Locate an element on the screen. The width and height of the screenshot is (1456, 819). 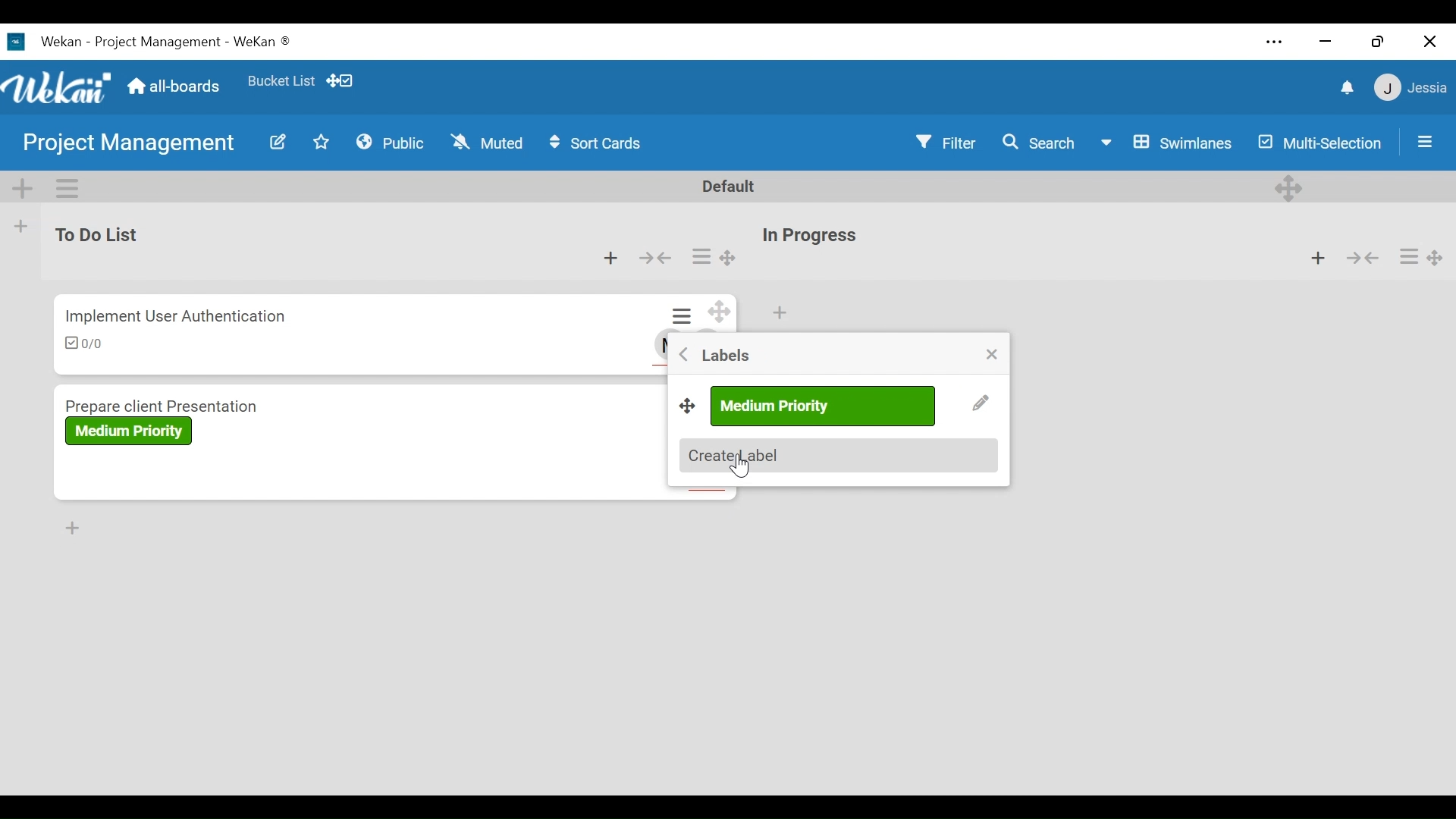
List Name is located at coordinates (94, 234).